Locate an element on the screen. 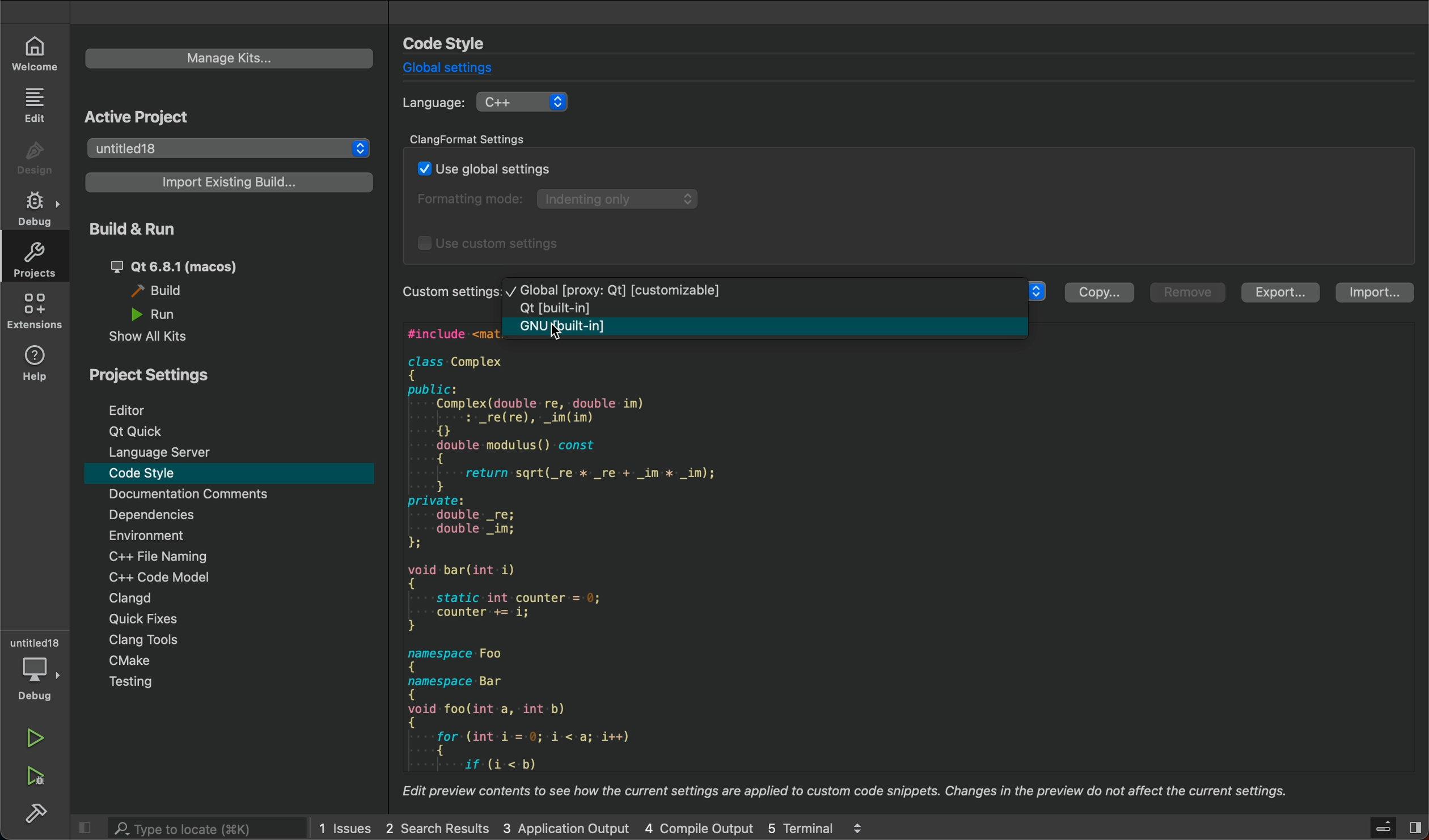 The width and height of the screenshot is (1429, 840). gnu built in is located at coordinates (770, 328).